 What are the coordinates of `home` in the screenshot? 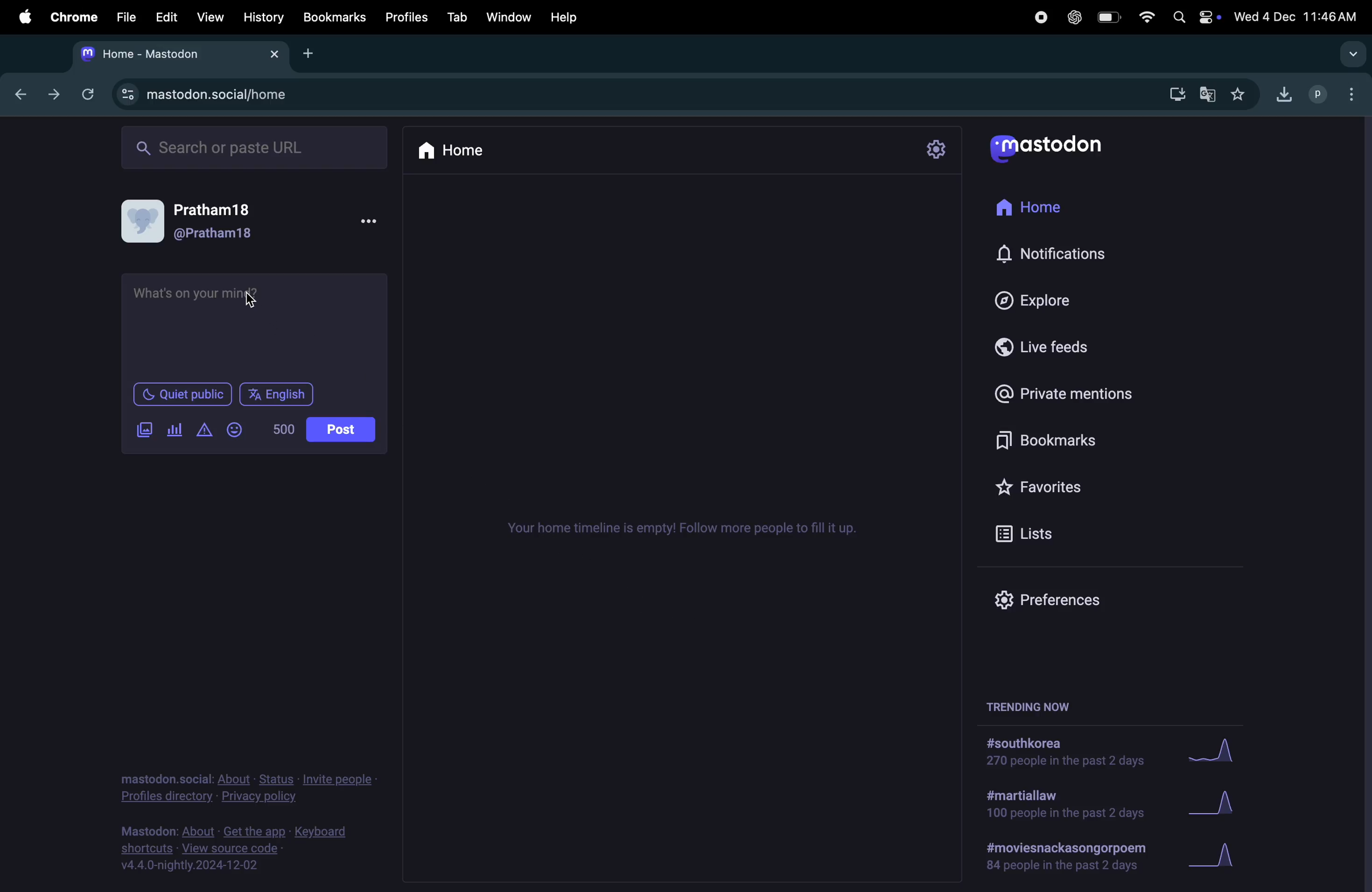 It's located at (1034, 209).